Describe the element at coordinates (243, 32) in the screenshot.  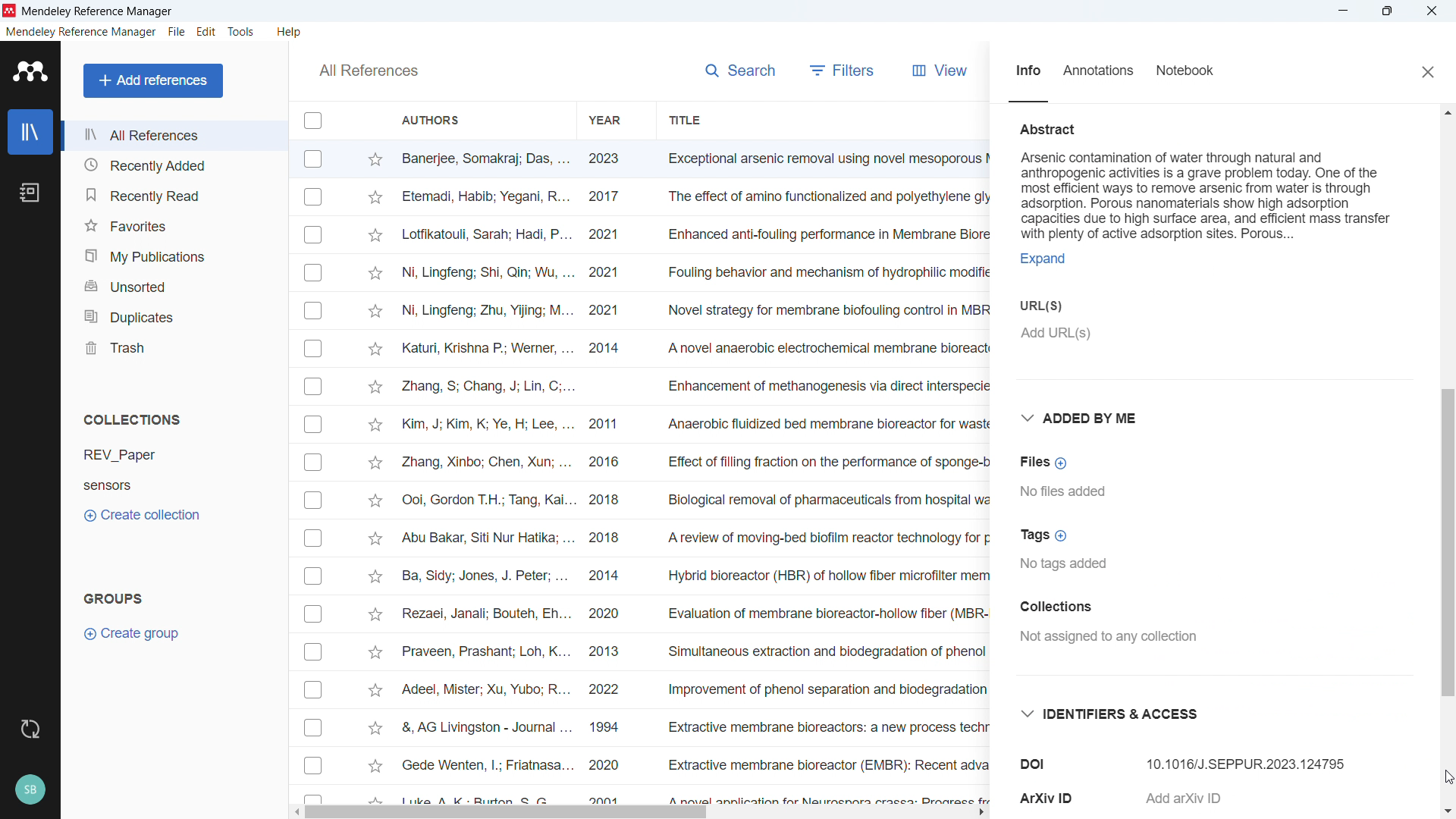
I see `Tools ` at that location.